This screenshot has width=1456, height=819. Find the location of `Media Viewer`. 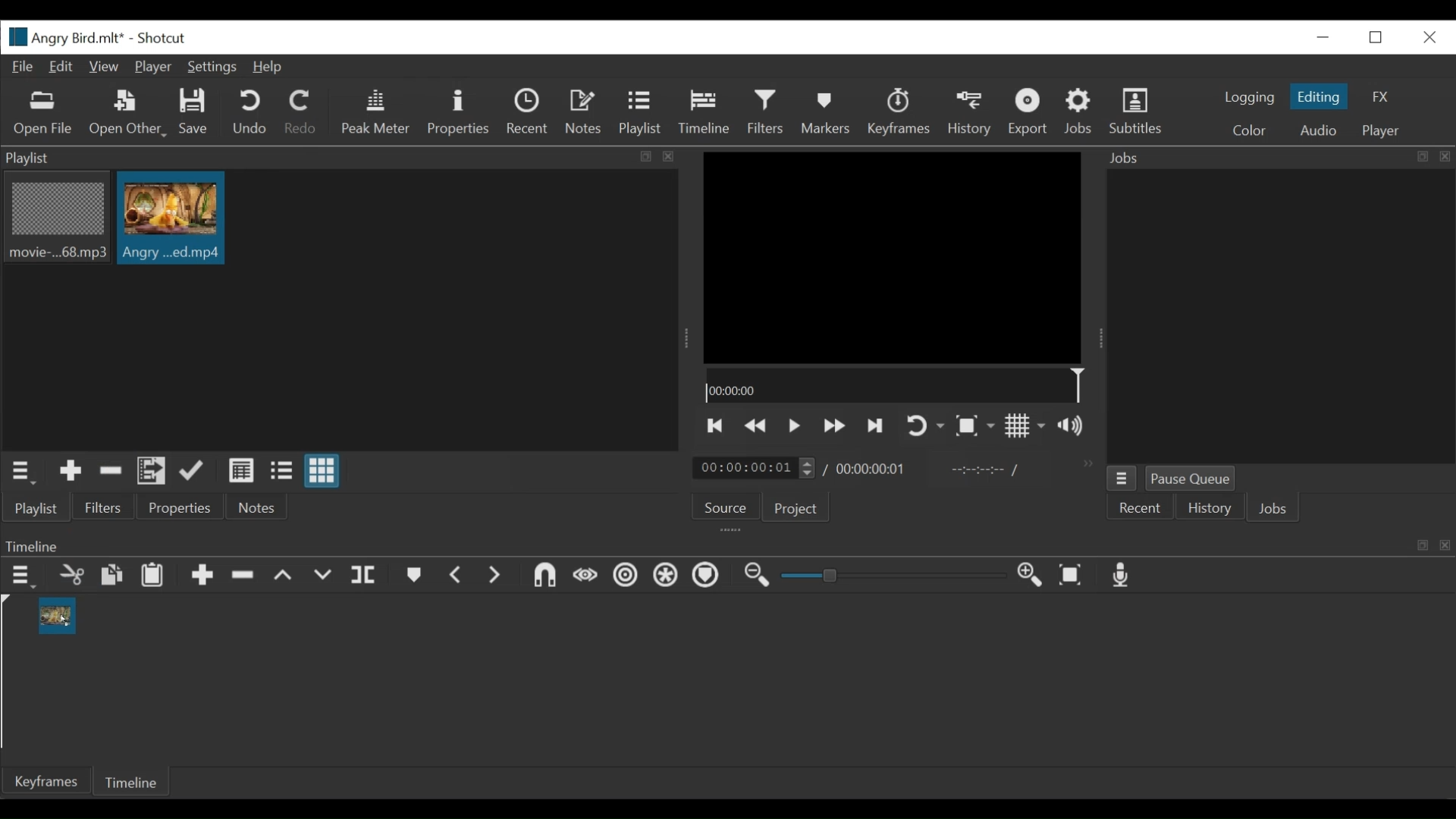

Media Viewer is located at coordinates (894, 256).